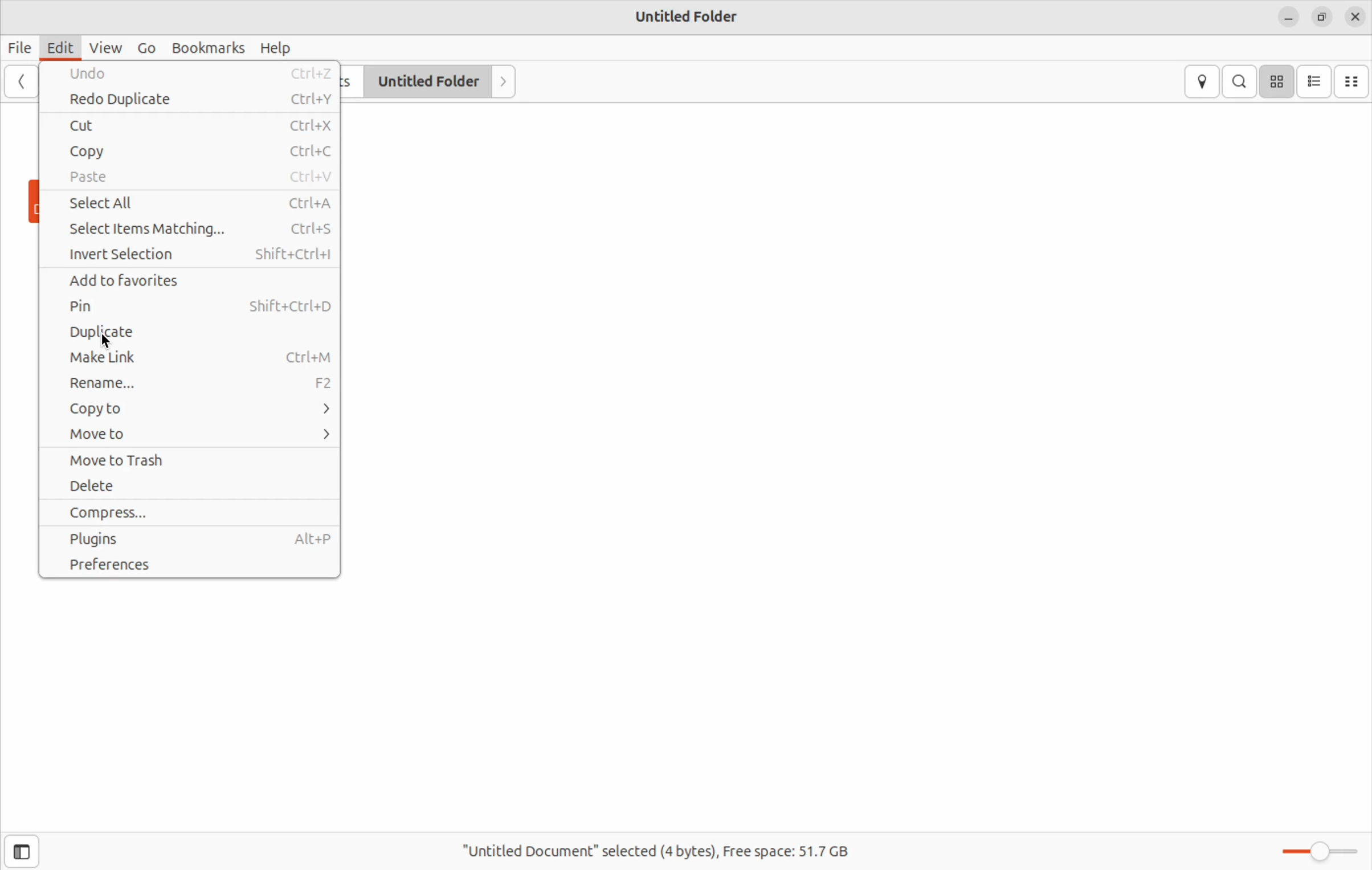 The width and height of the screenshot is (1372, 870). Describe the element at coordinates (189, 409) in the screenshot. I see `Copy to` at that location.